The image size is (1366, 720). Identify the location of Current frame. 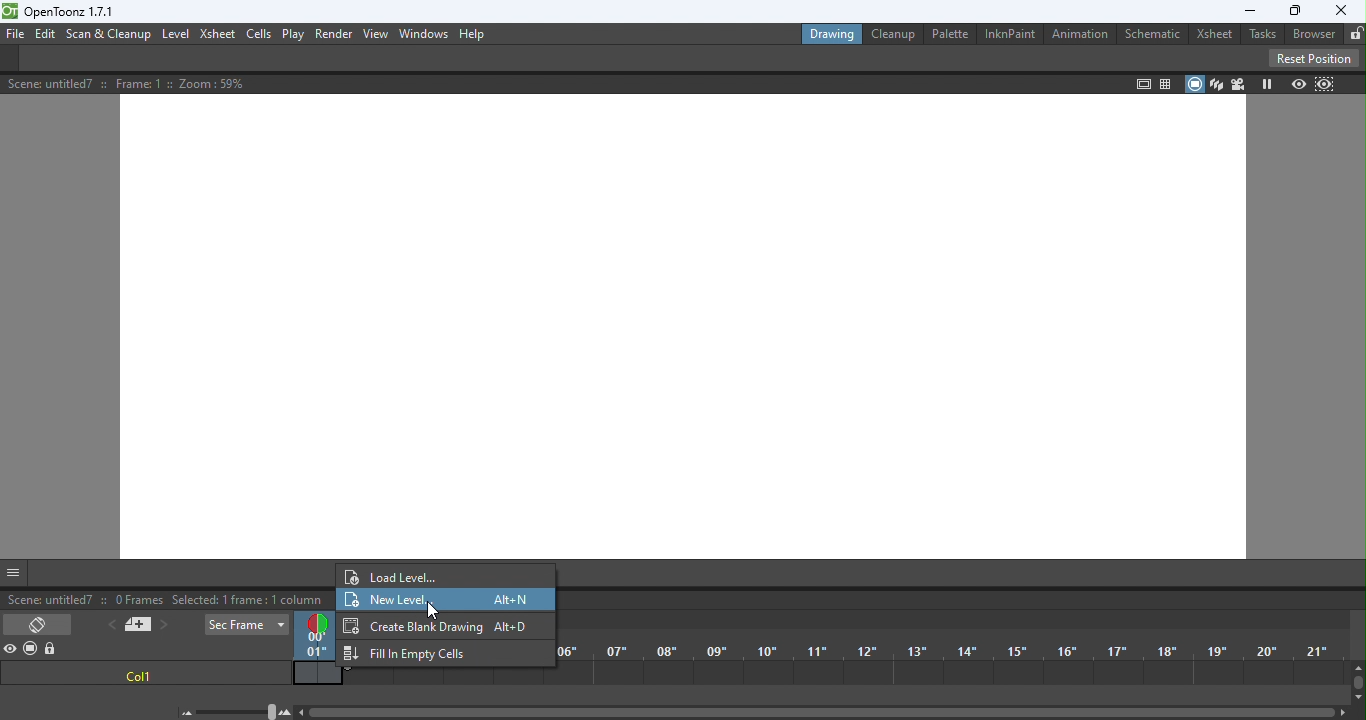
(313, 647).